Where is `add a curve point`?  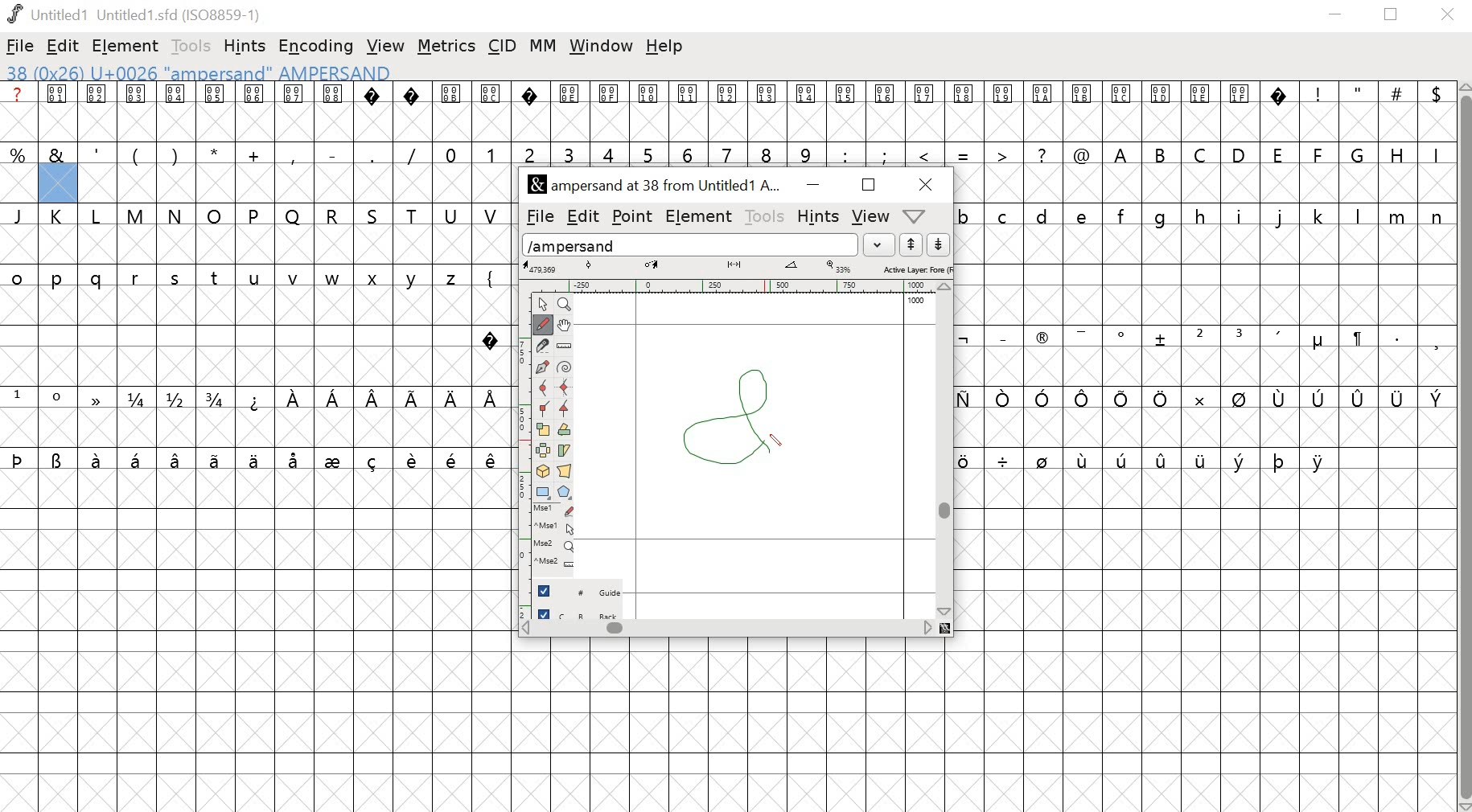
add a curve point is located at coordinates (543, 389).